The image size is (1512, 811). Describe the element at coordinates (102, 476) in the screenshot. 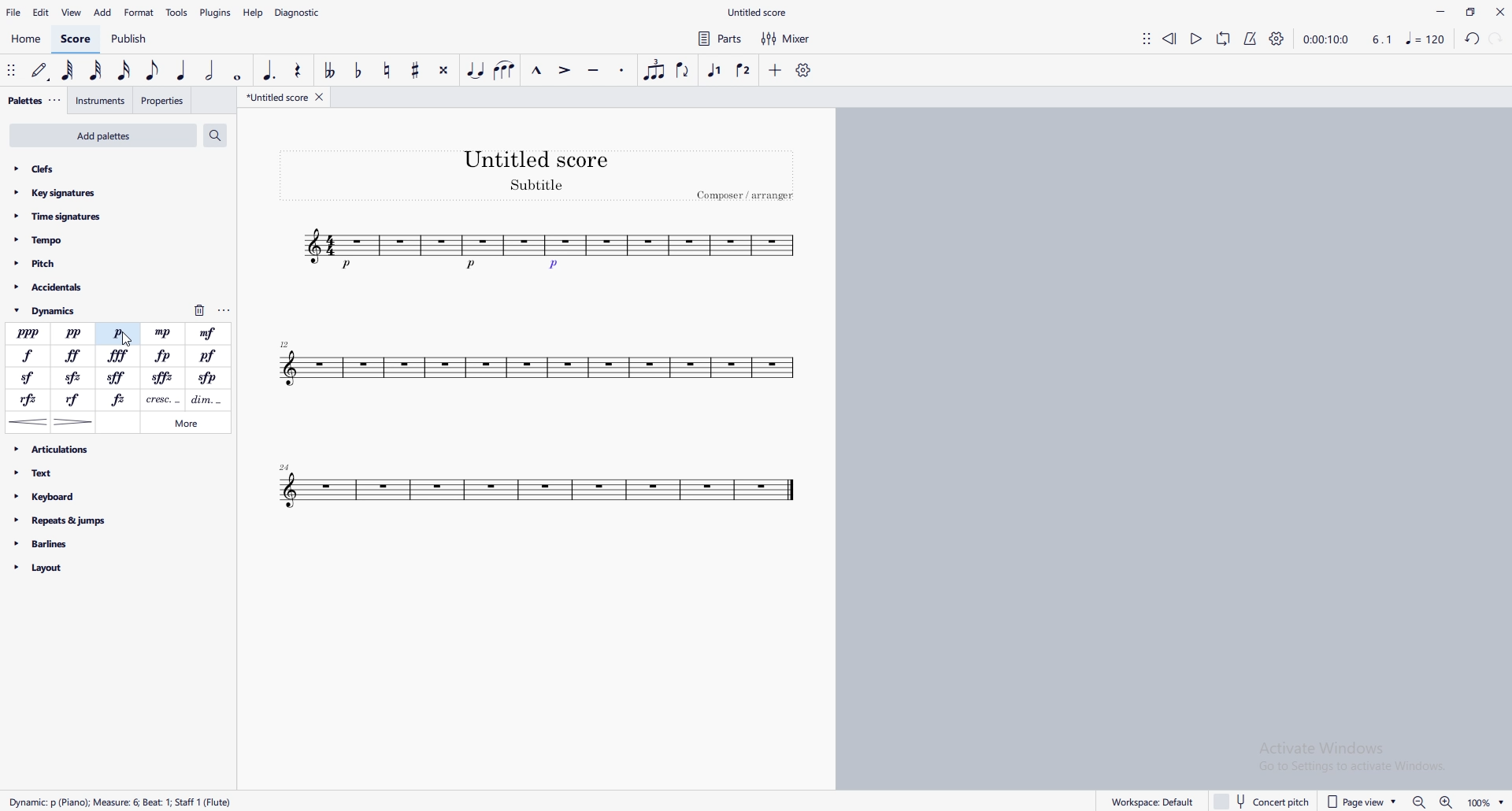

I see `text` at that location.